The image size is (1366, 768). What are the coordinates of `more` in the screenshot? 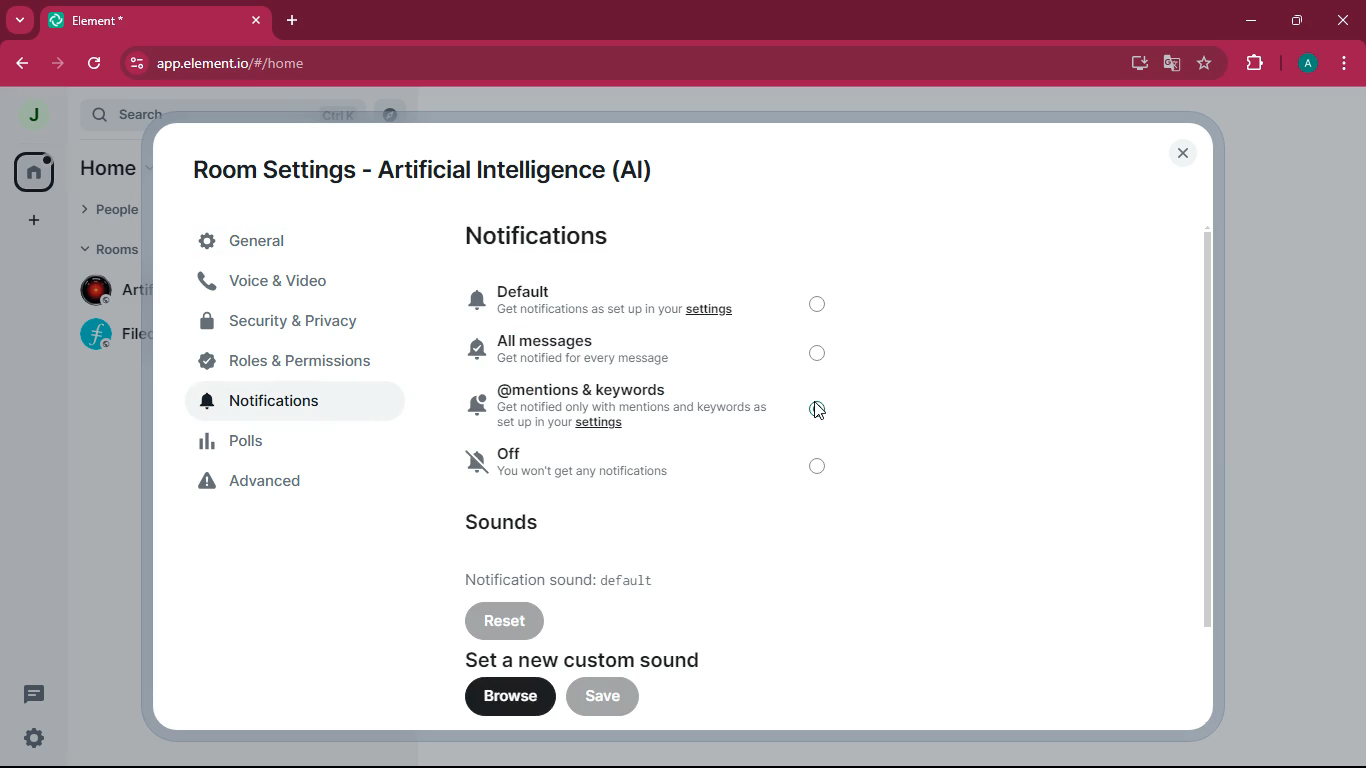 It's located at (21, 22).